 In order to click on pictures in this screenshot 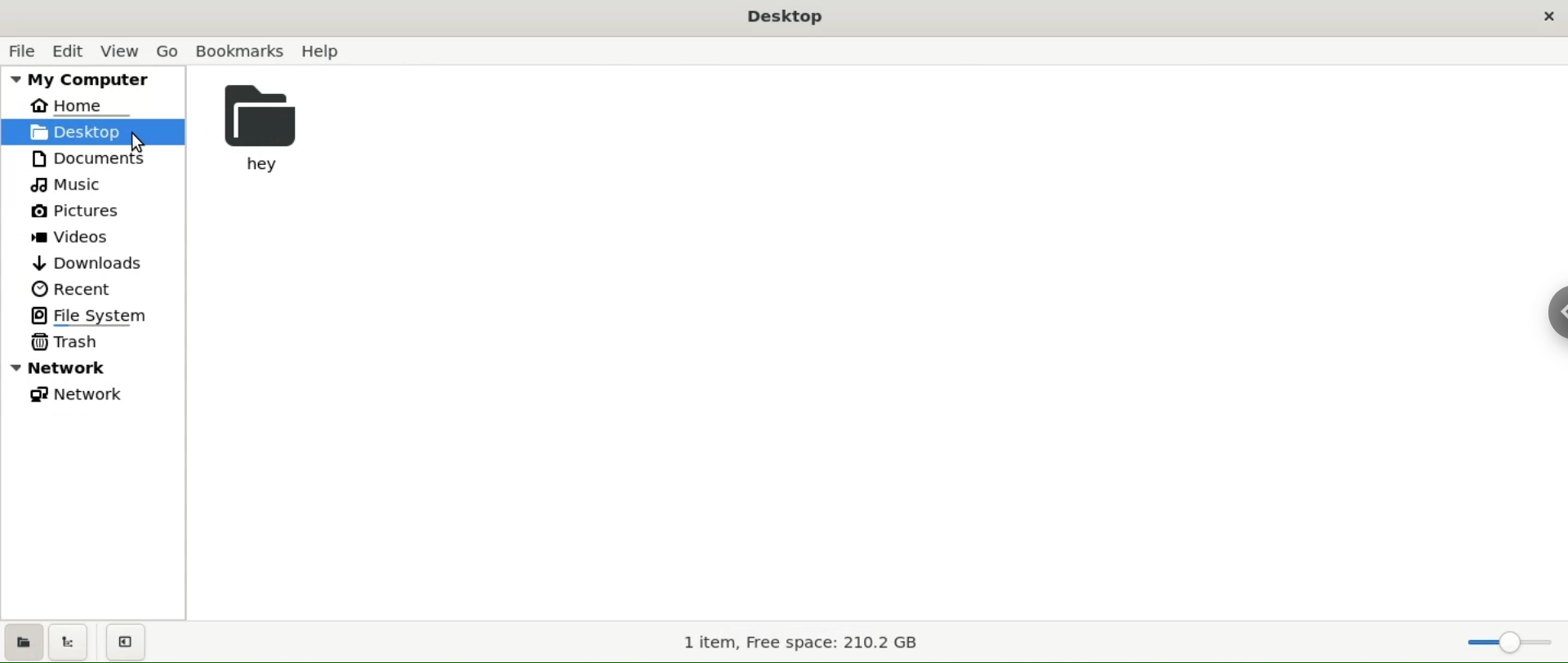, I will do `click(77, 210)`.